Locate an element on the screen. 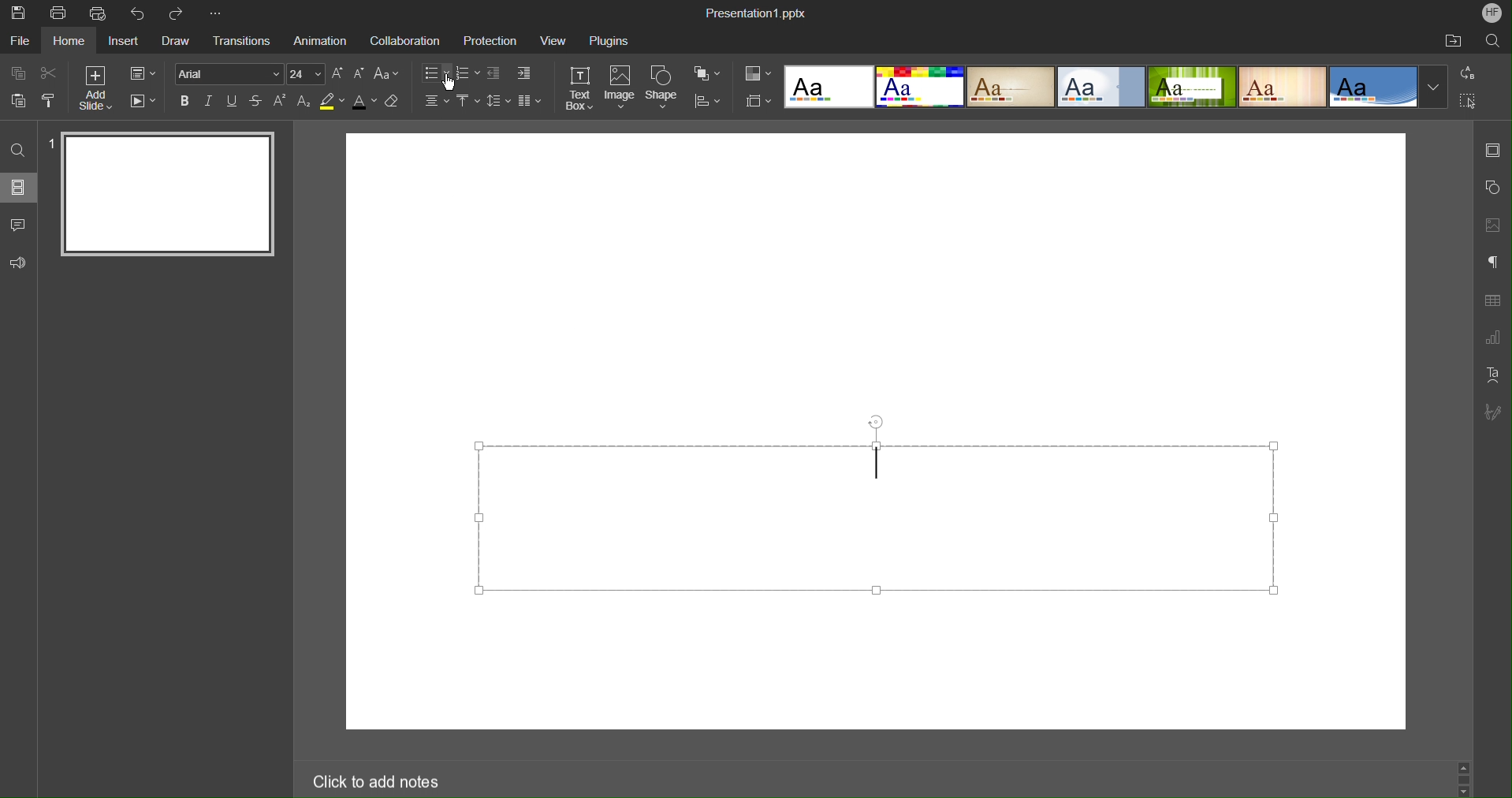 The height and width of the screenshot is (798, 1512). Collaboration is located at coordinates (402, 41).